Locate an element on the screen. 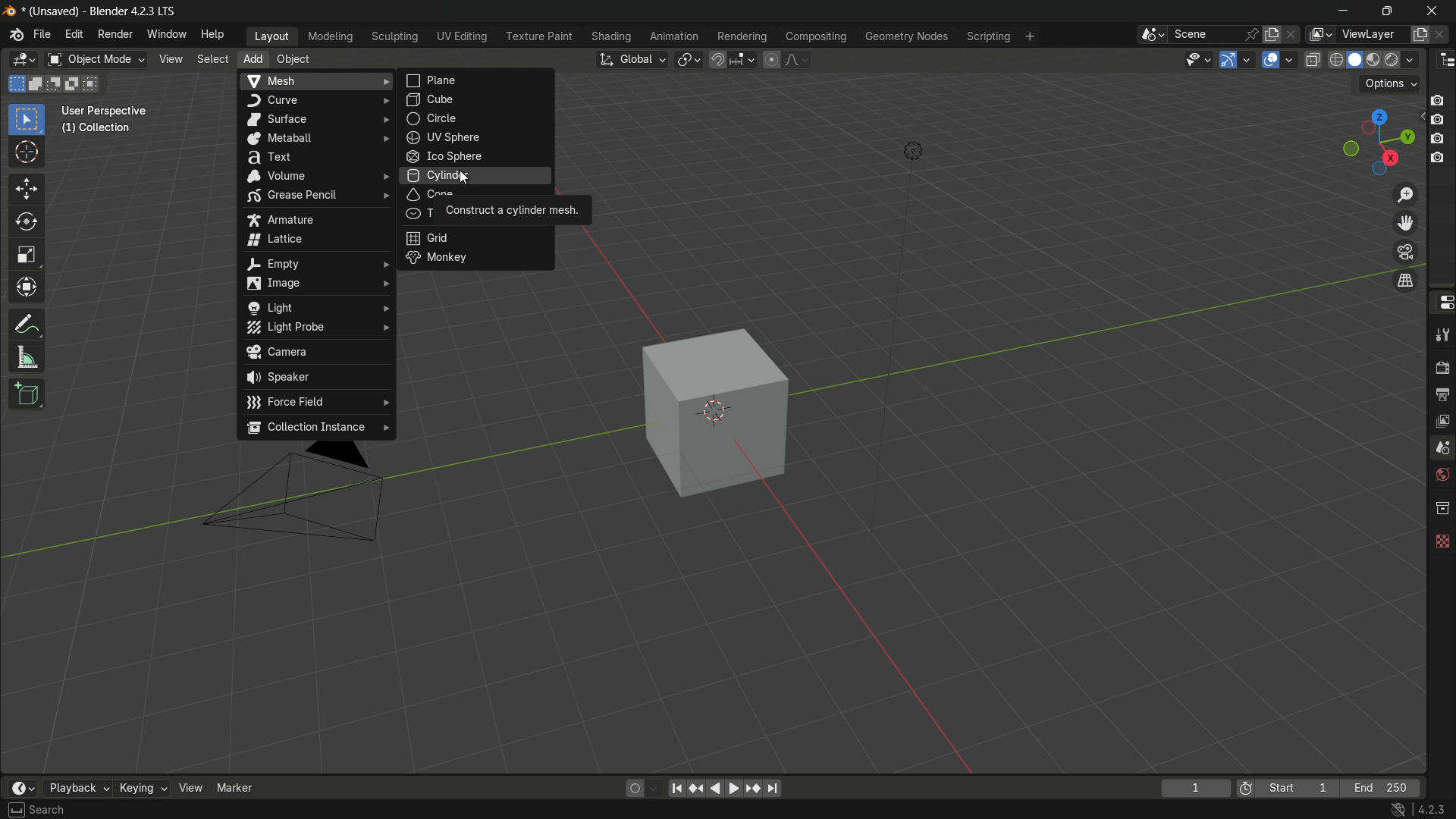 The width and height of the screenshot is (1456, 819). image is located at coordinates (315, 285).